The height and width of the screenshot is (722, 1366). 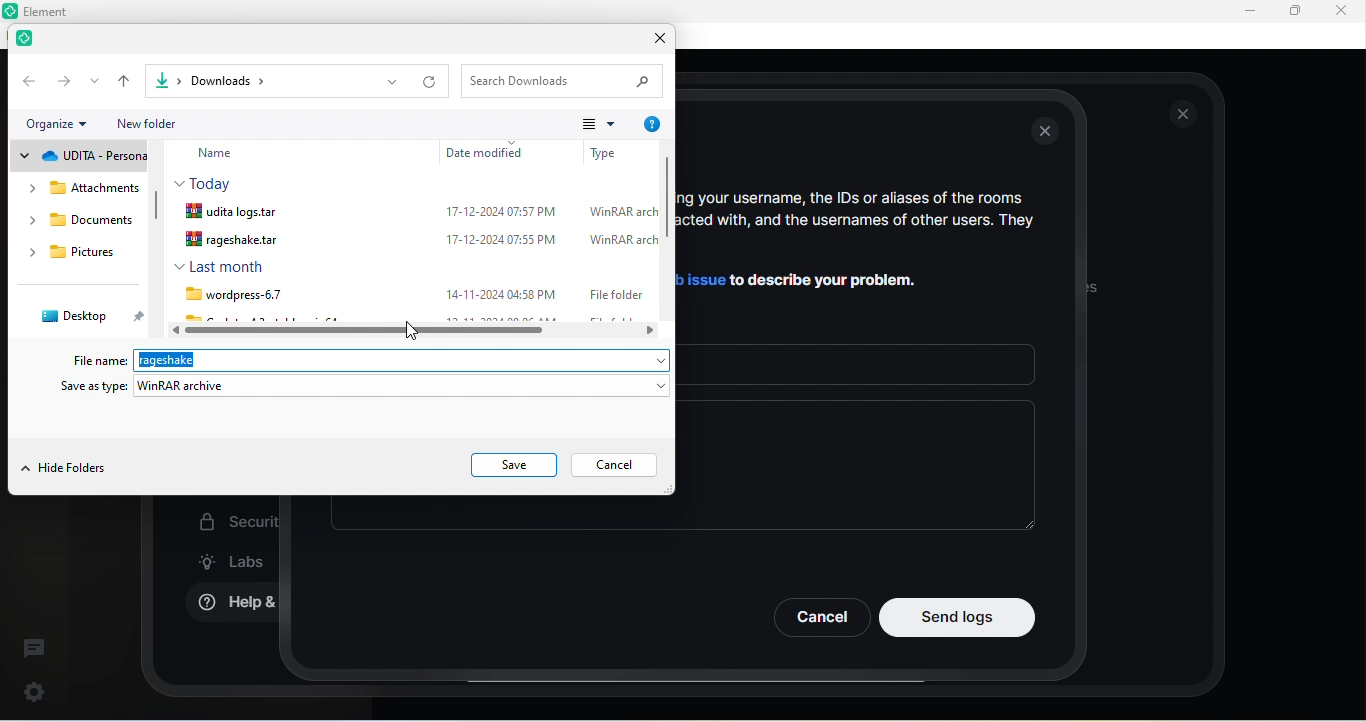 What do you see at coordinates (219, 266) in the screenshot?
I see `Last month` at bounding box center [219, 266].